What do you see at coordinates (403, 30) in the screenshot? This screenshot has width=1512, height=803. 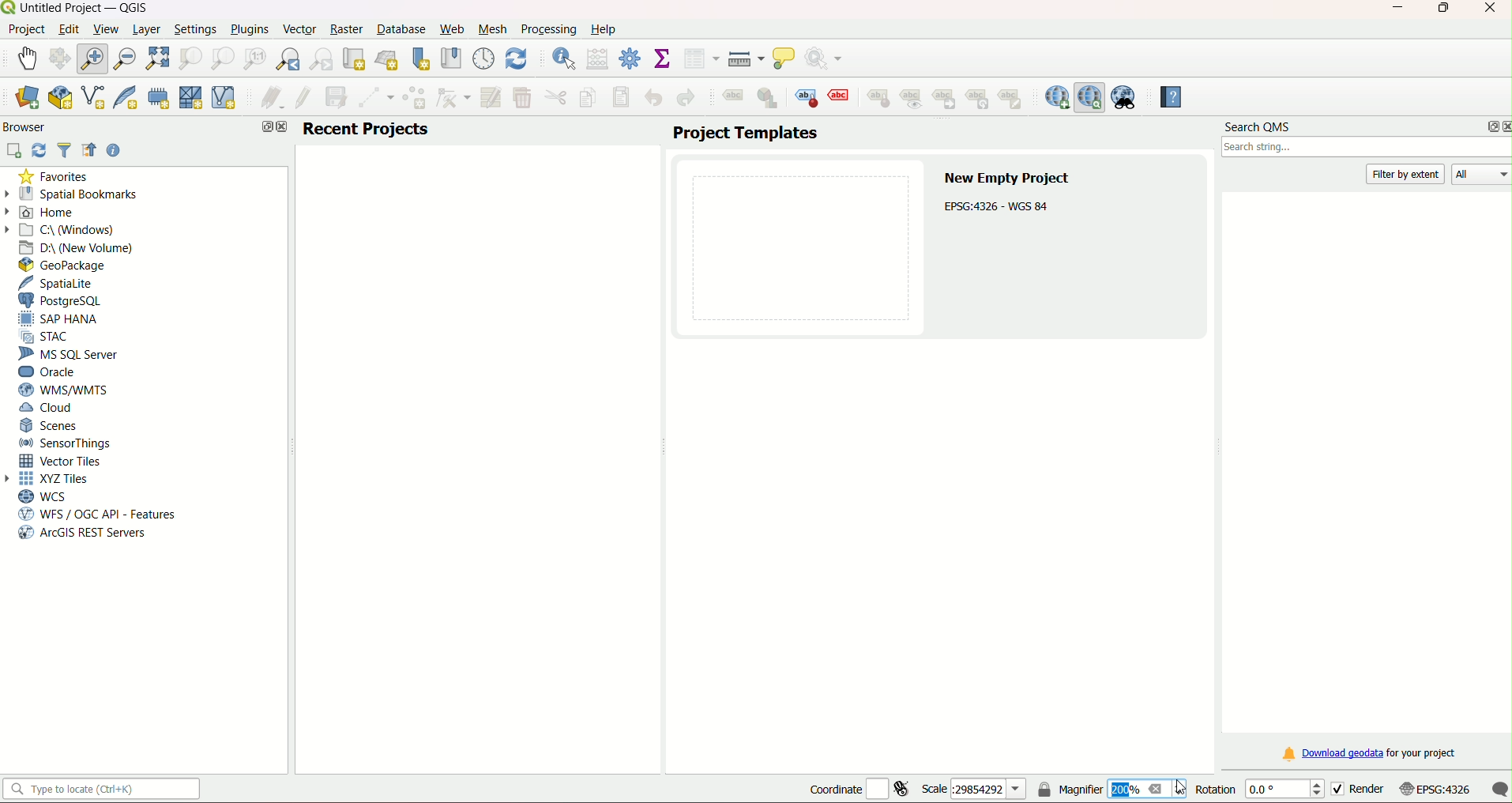 I see `database` at bounding box center [403, 30].